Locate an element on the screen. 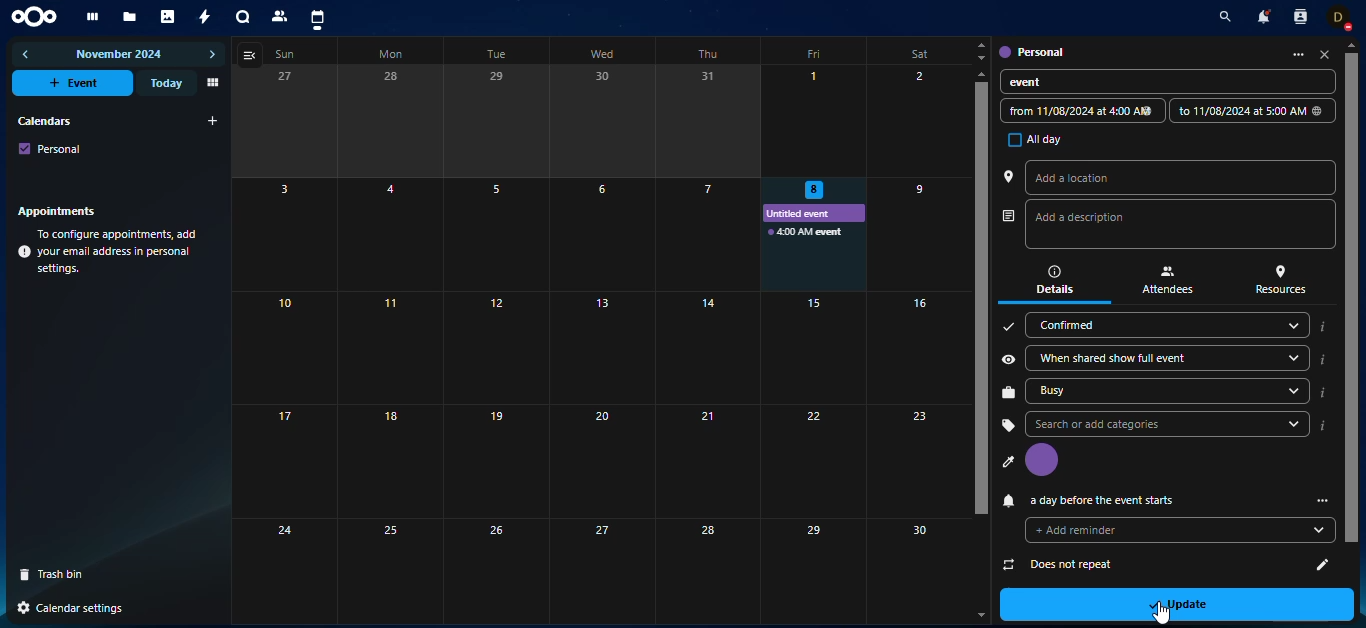 The height and width of the screenshot is (628, 1366). 24 is located at coordinates (283, 567).